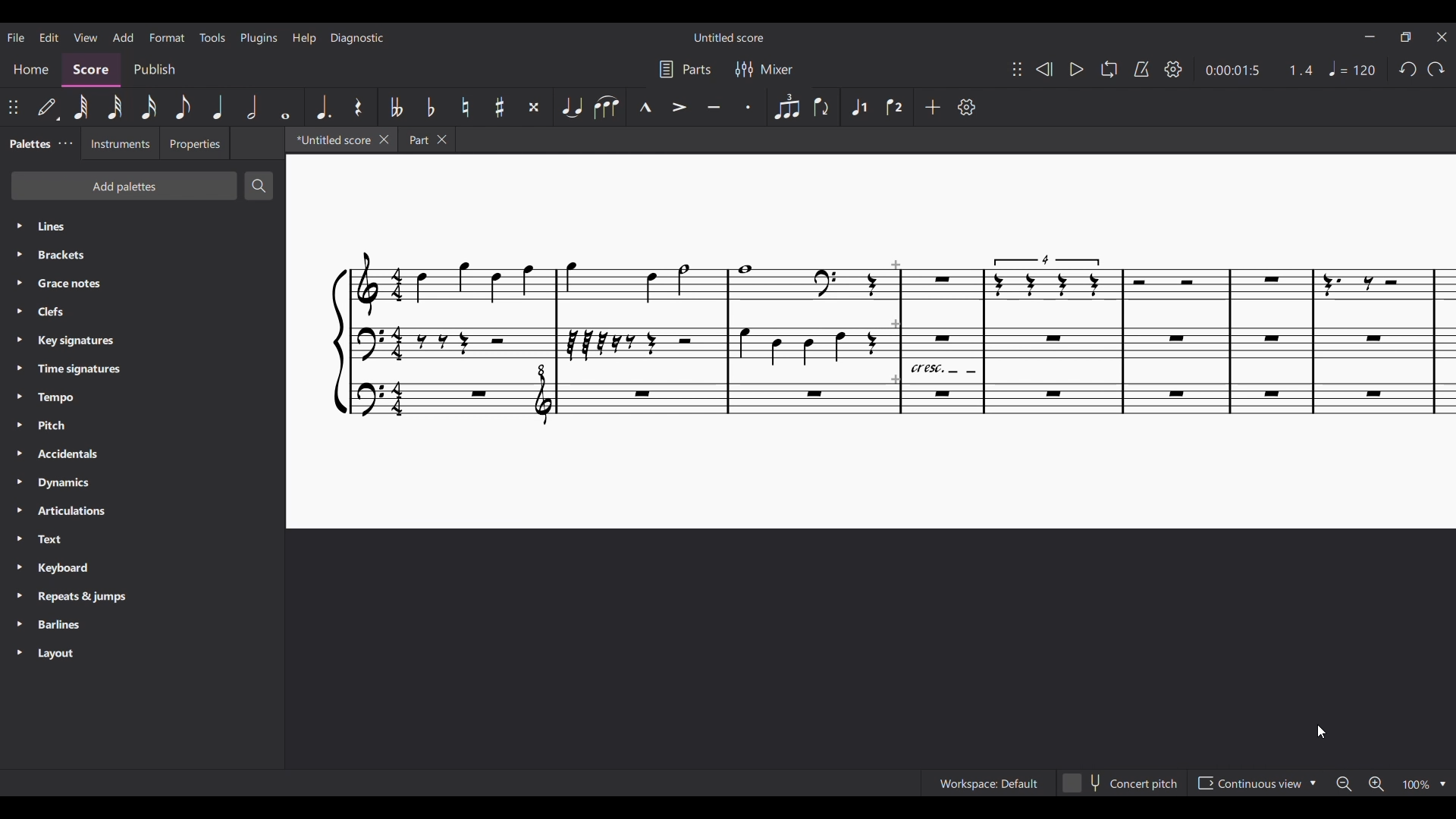 This screenshot has width=1456, height=819. Describe the element at coordinates (934, 107) in the screenshot. I see `Add` at that location.